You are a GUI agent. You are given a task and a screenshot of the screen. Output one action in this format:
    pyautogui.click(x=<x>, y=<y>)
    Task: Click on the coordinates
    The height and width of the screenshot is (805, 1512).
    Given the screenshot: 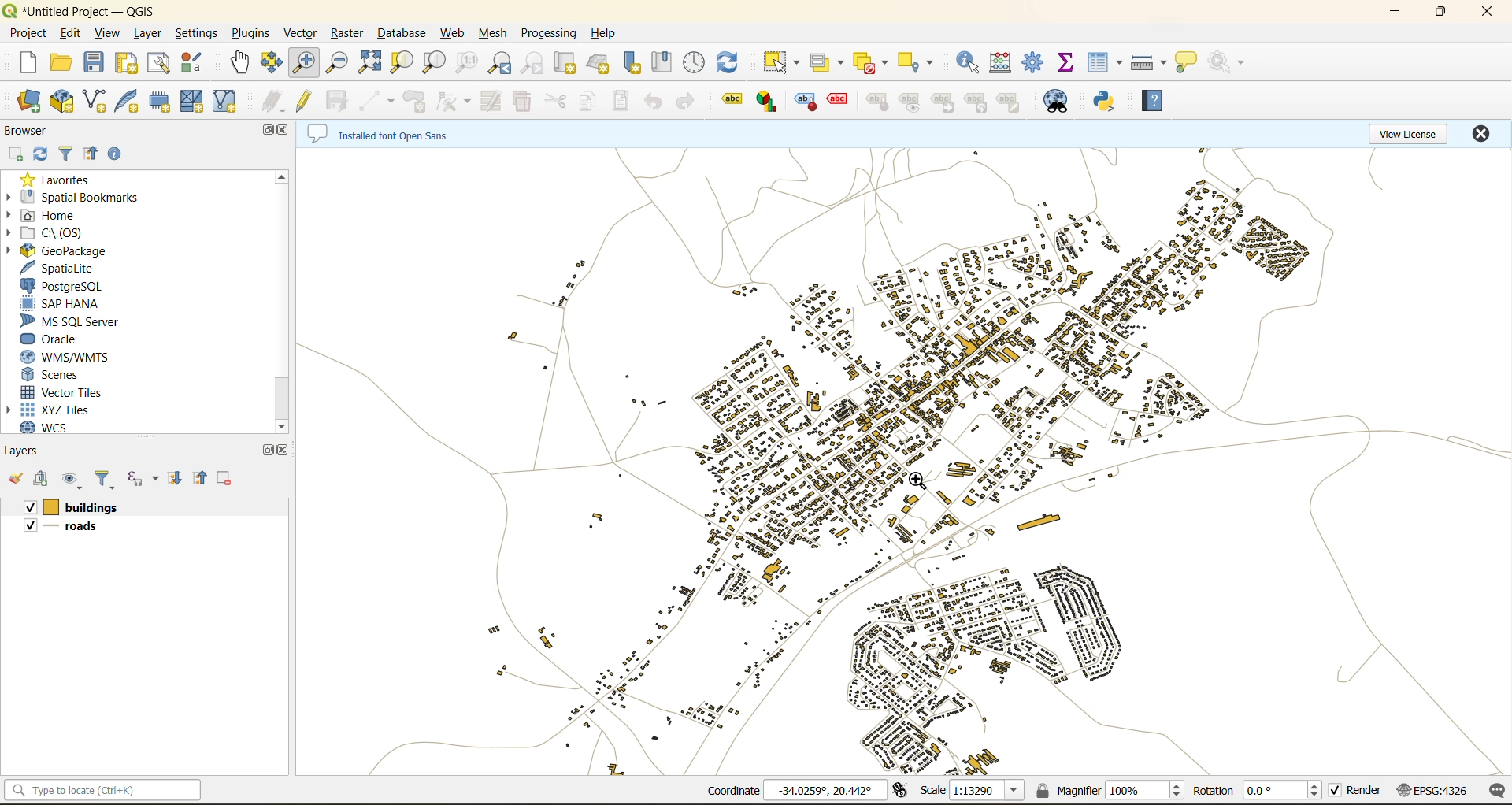 What is the action you would take?
    pyautogui.click(x=799, y=790)
    